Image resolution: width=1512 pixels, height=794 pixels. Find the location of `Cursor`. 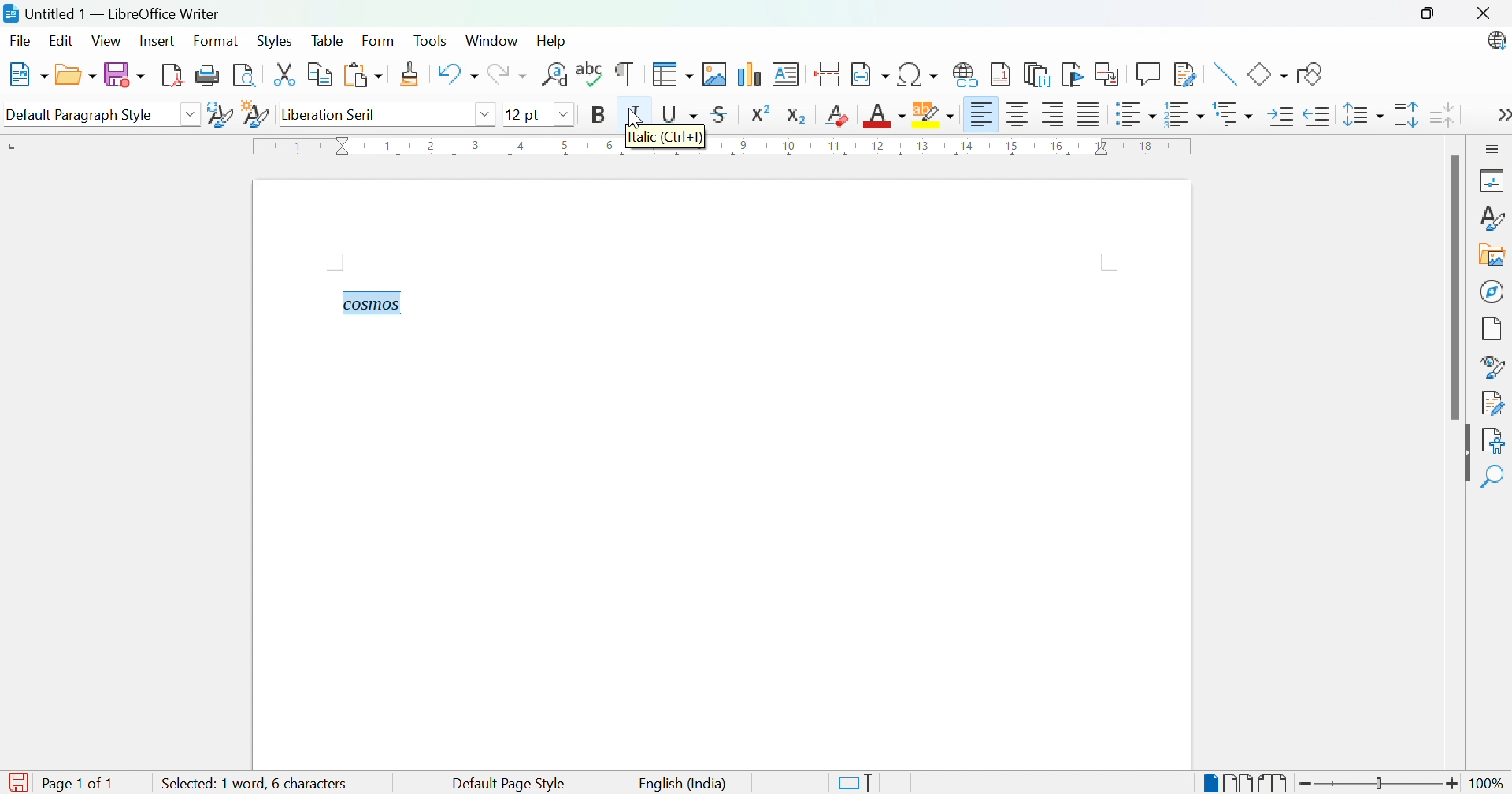

Cursor is located at coordinates (633, 117).